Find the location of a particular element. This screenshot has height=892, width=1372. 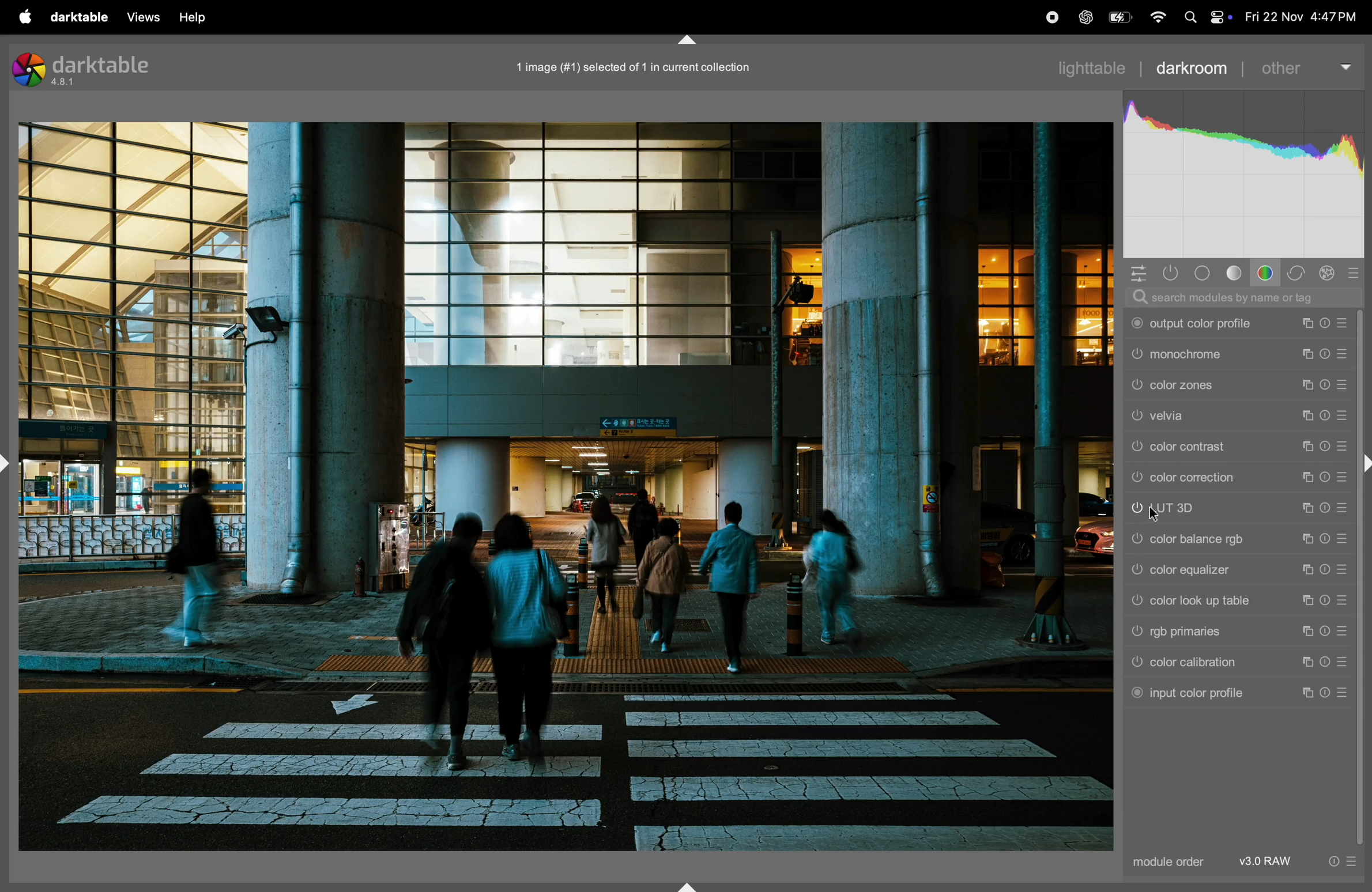

color equalizer is located at coordinates (1218, 570).